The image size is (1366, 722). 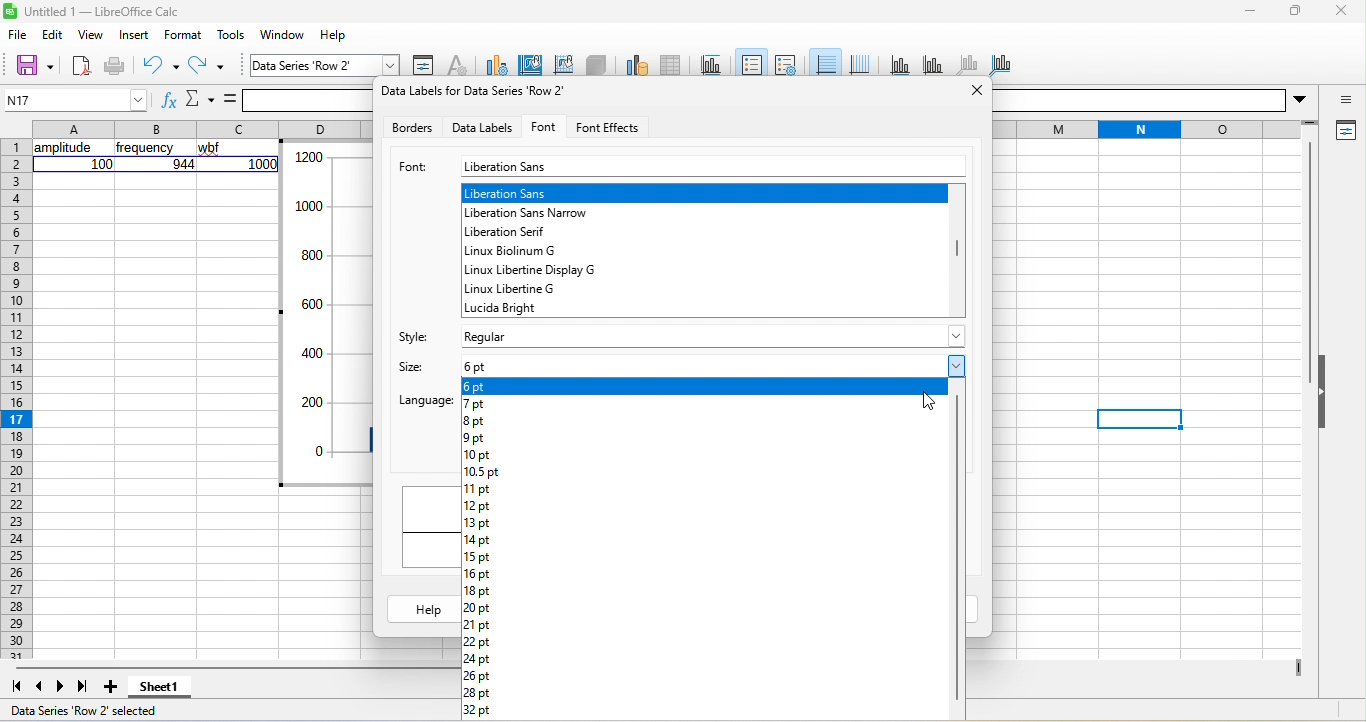 What do you see at coordinates (289, 99) in the screenshot?
I see `formula bar` at bounding box center [289, 99].